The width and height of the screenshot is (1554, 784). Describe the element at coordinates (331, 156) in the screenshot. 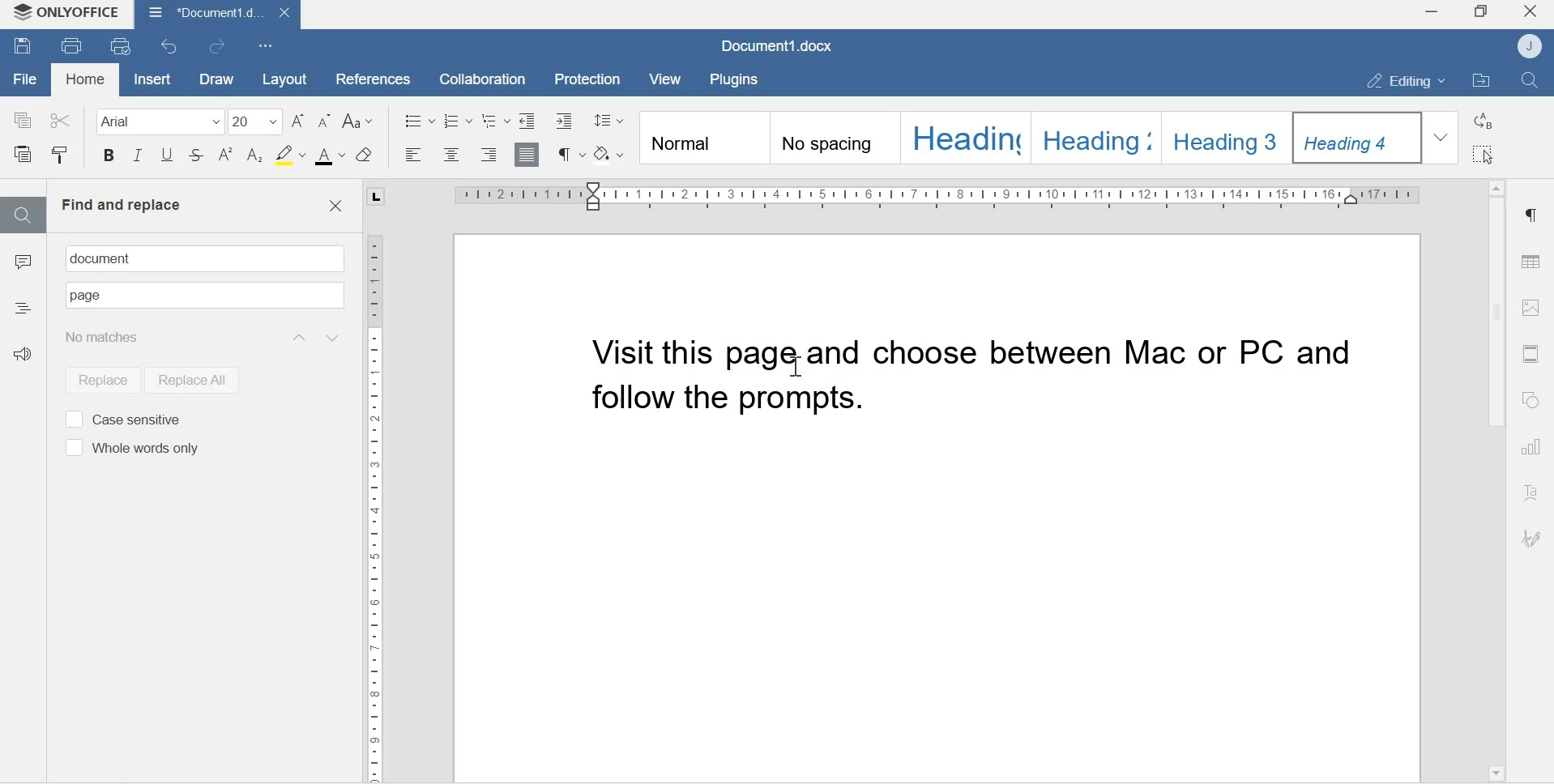

I see `font color` at that location.